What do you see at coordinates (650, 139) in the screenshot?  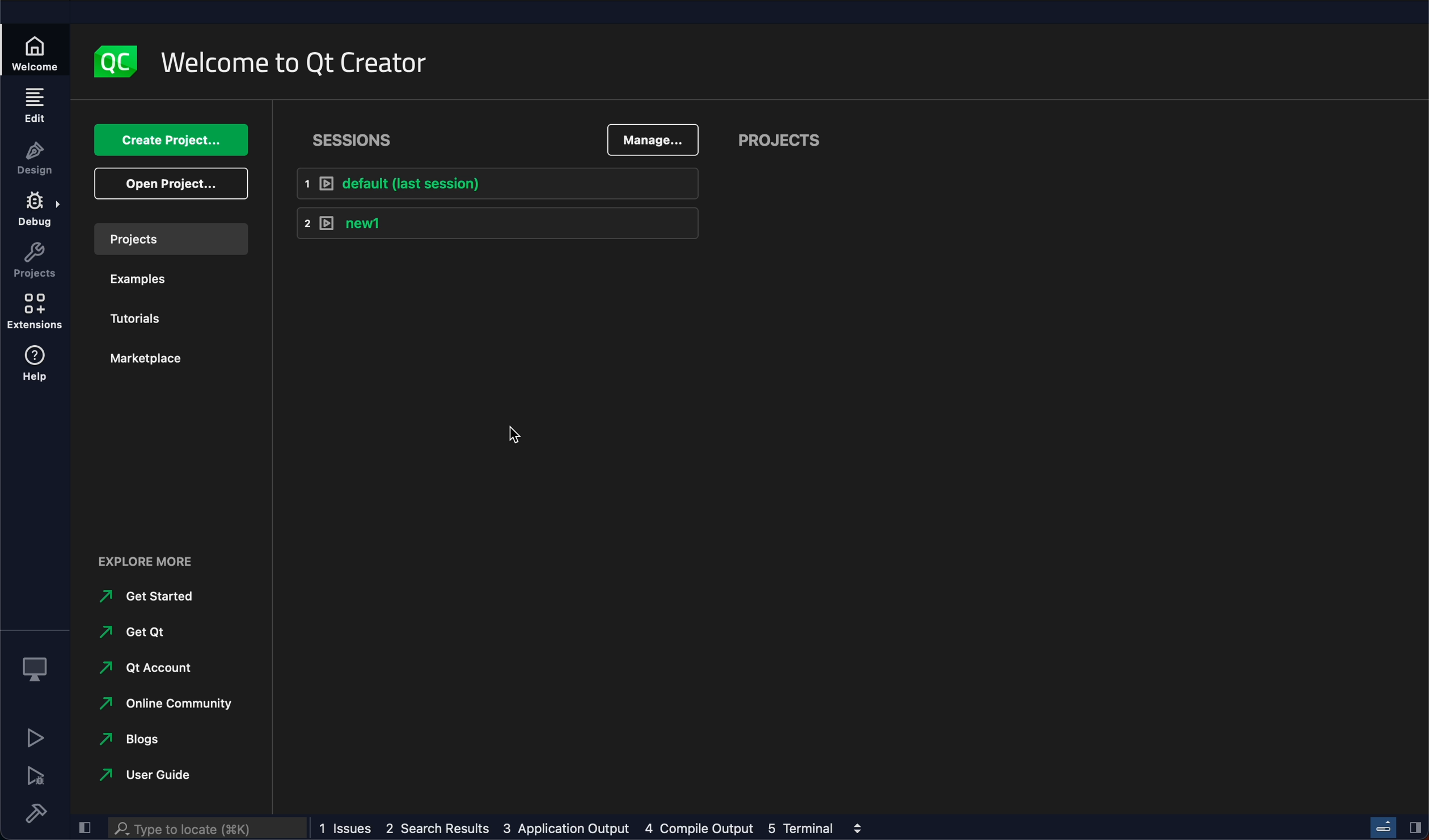 I see `manage` at bounding box center [650, 139].